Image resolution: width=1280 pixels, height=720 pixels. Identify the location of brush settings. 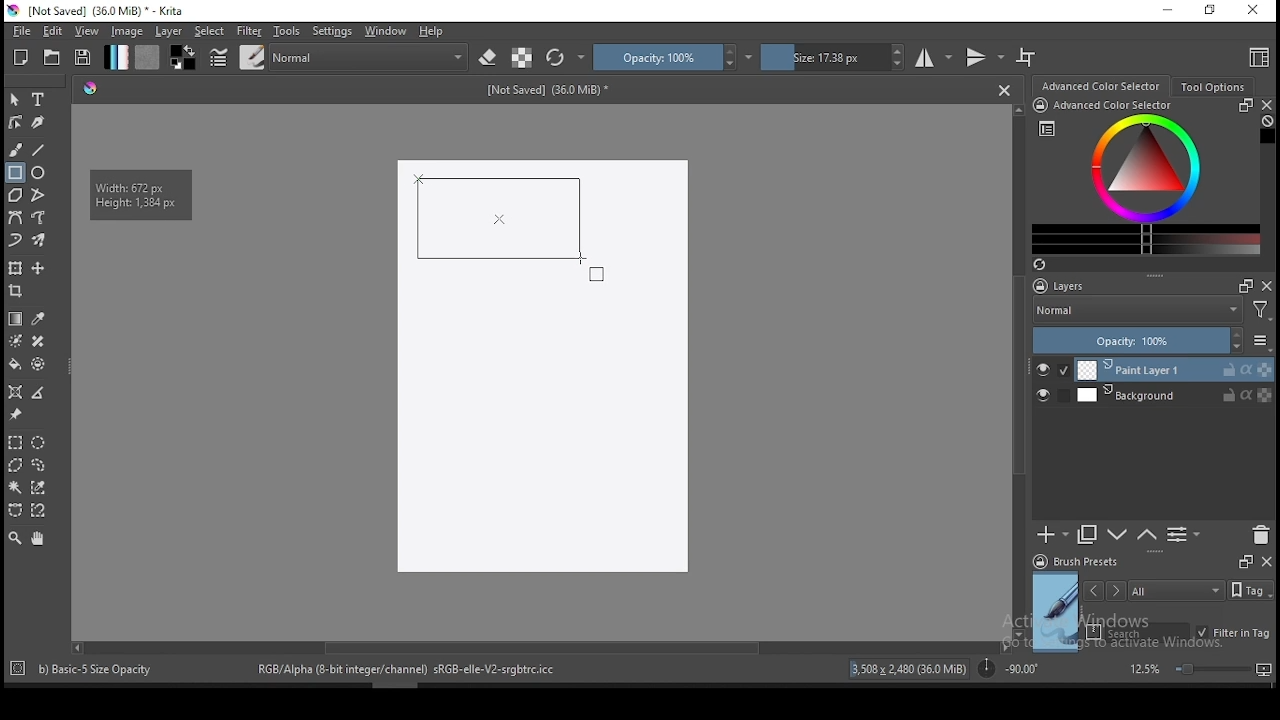
(217, 57).